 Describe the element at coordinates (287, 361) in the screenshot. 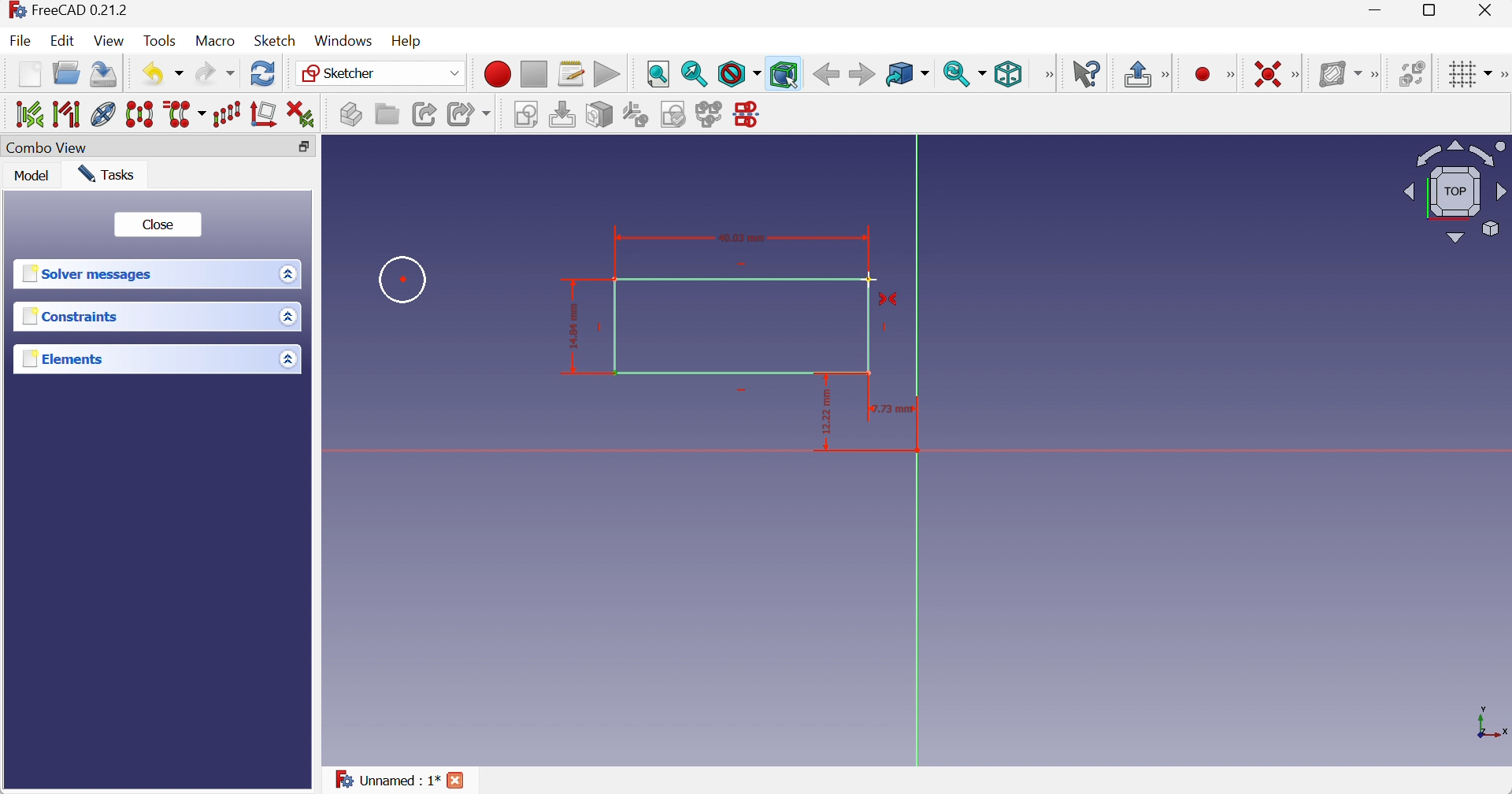

I see `Drop down` at that location.